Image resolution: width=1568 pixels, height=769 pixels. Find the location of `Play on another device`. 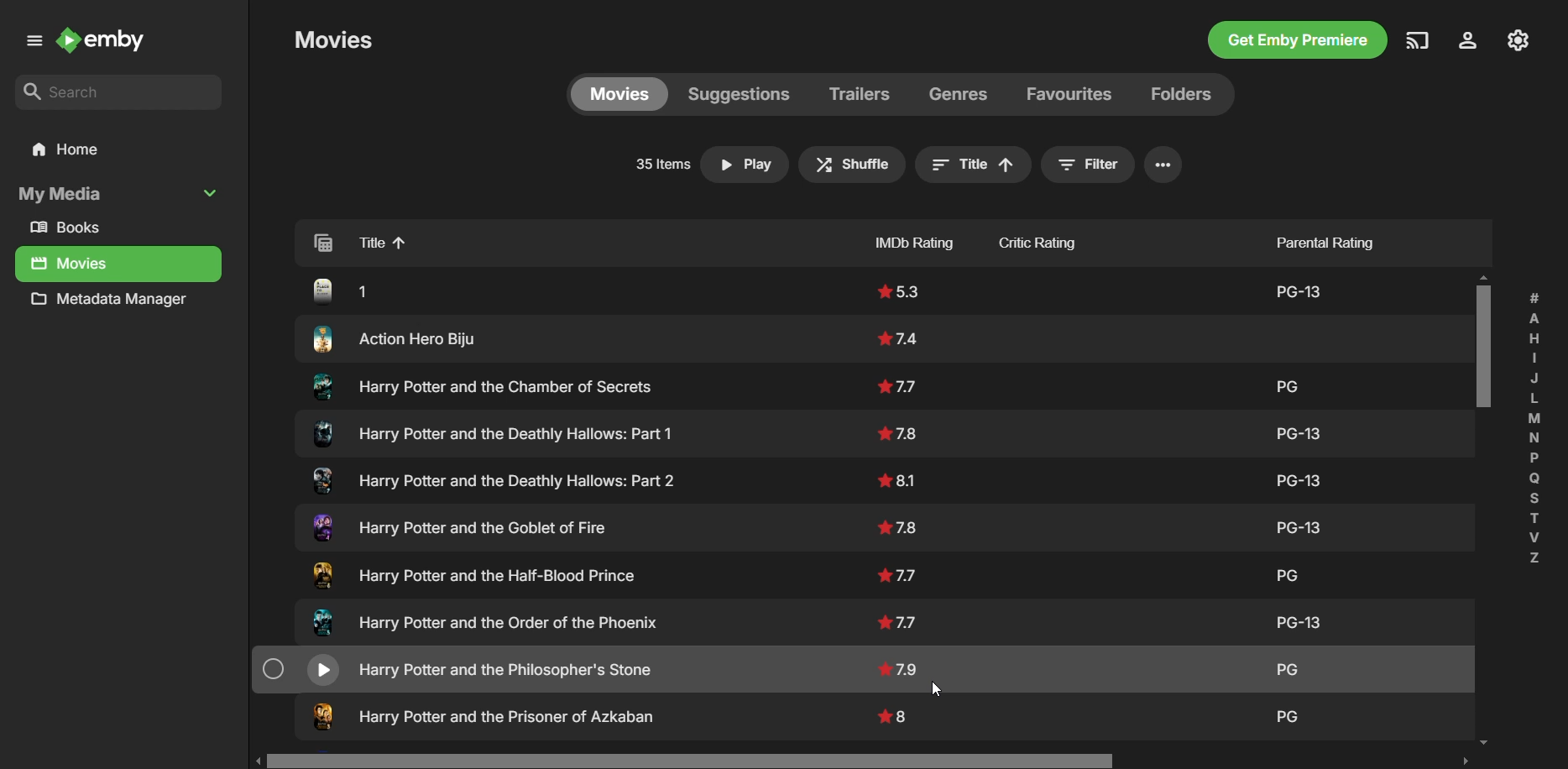

Play on another device is located at coordinates (1418, 40).